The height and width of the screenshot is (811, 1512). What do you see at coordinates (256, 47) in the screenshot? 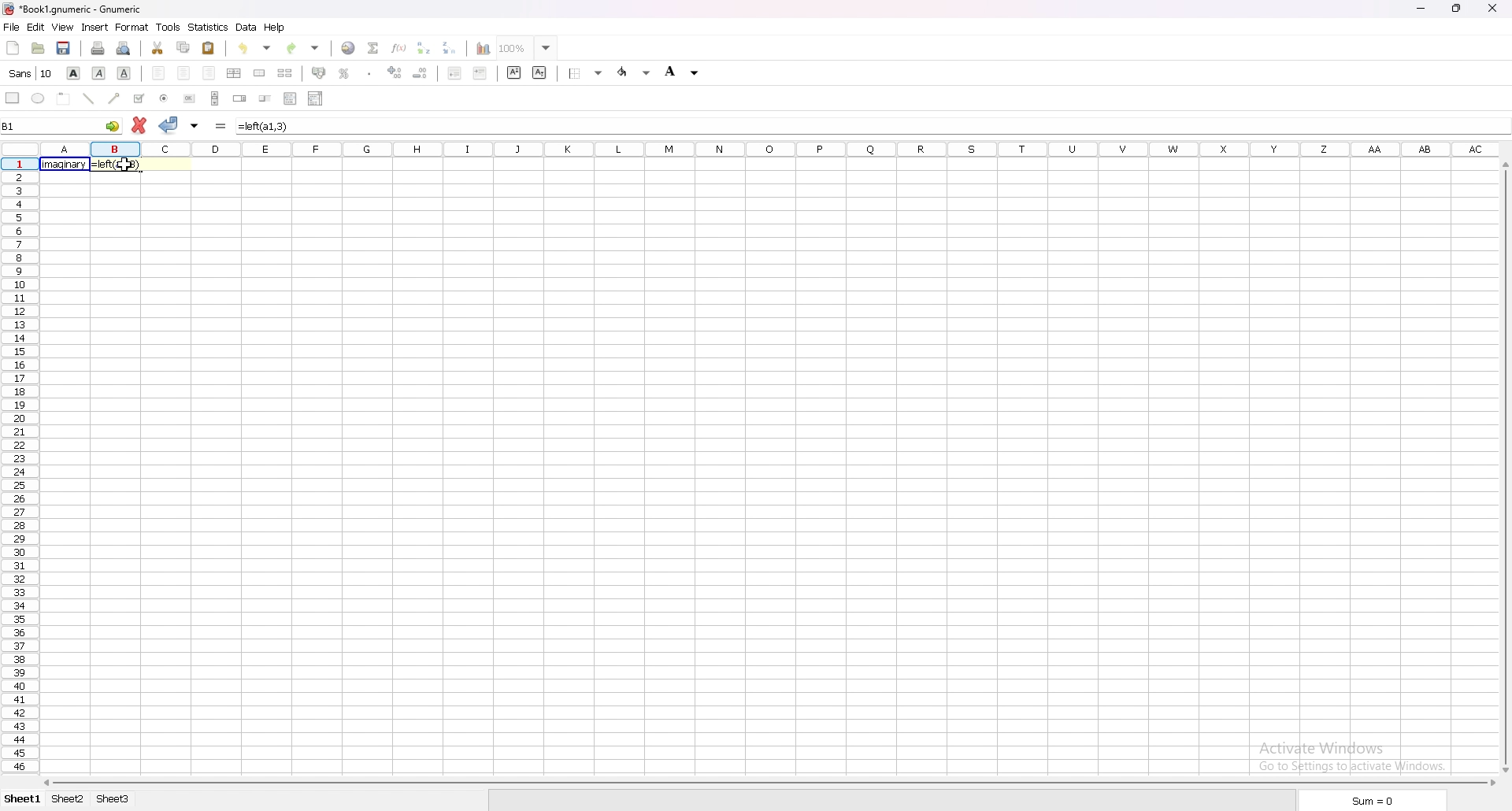
I see `unod` at bounding box center [256, 47].